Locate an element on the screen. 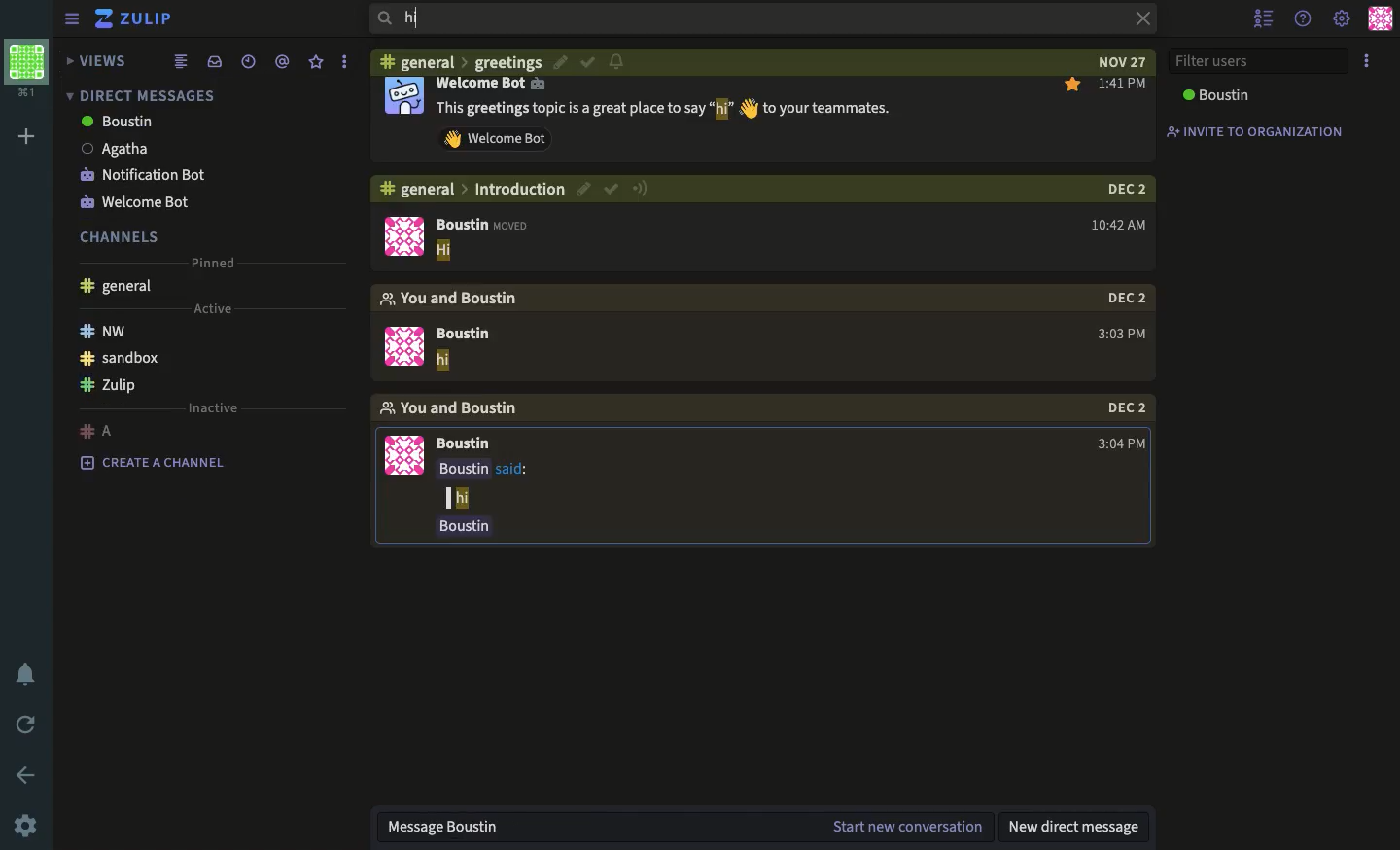 This screenshot has height=850, width=1400. welcome bot is located at coordinates (143, 202).